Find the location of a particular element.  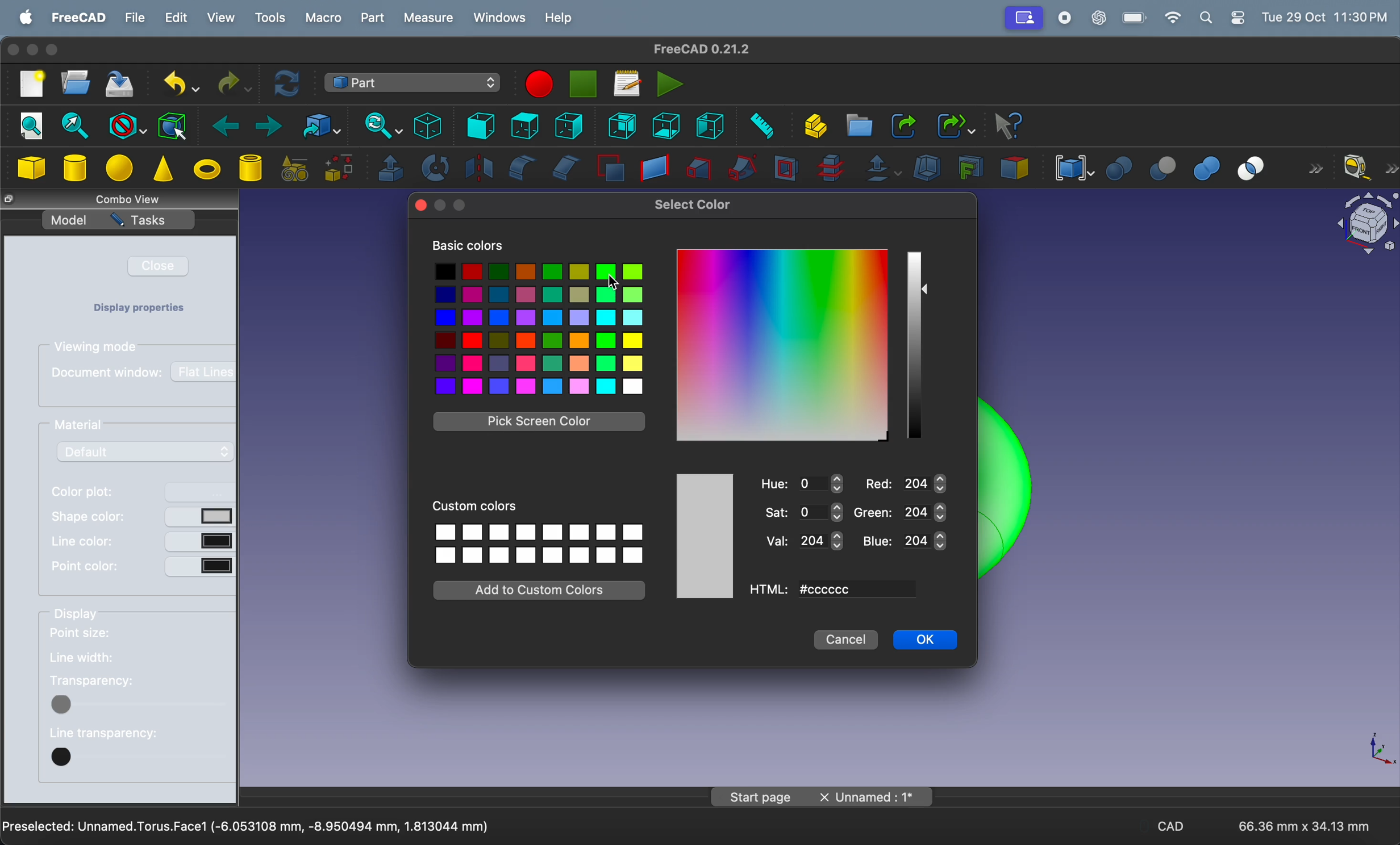

tools is located at coordinates (268, 18).